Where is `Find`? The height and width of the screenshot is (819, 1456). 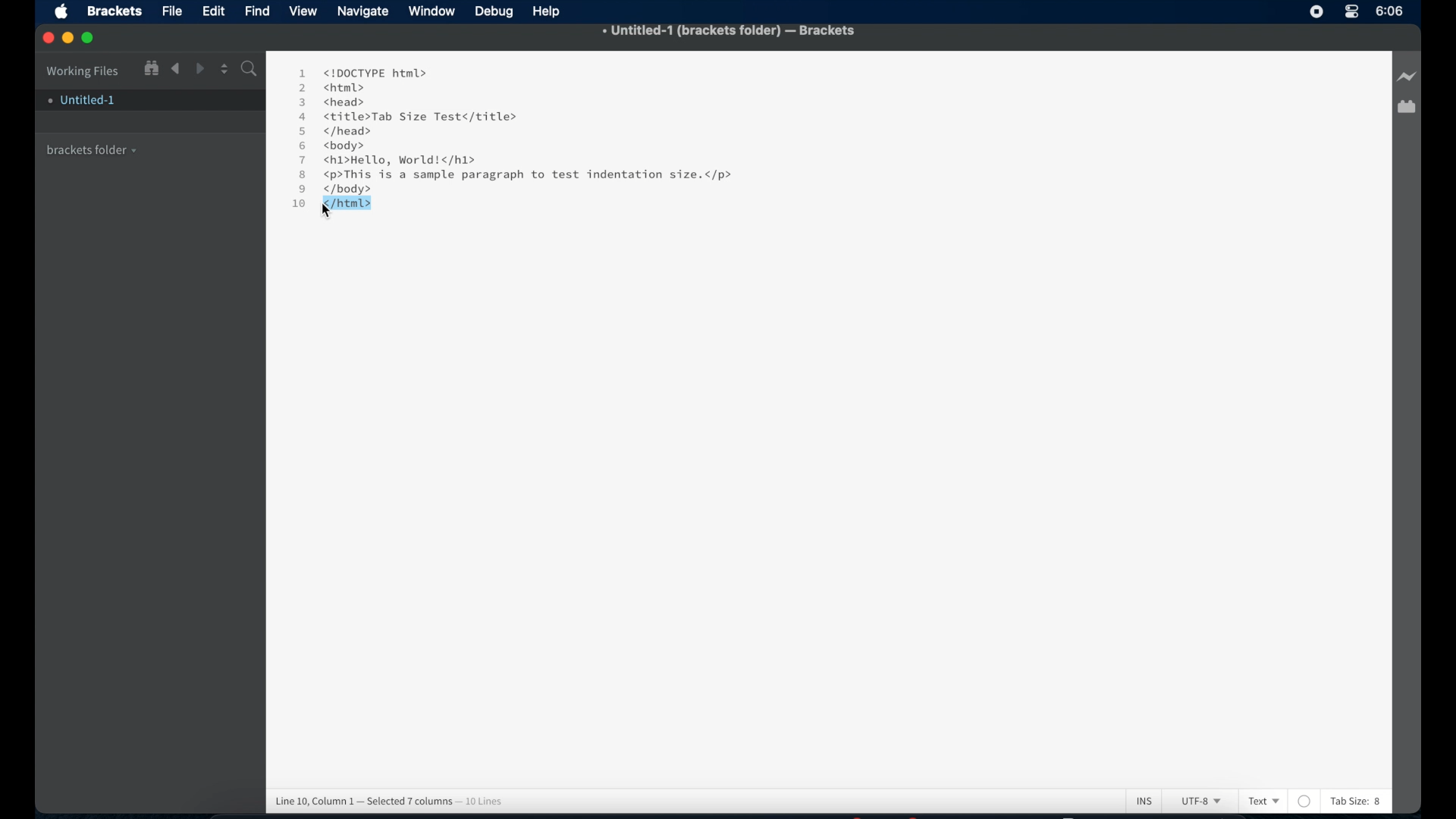 Find is located at coordinates (258, 10).